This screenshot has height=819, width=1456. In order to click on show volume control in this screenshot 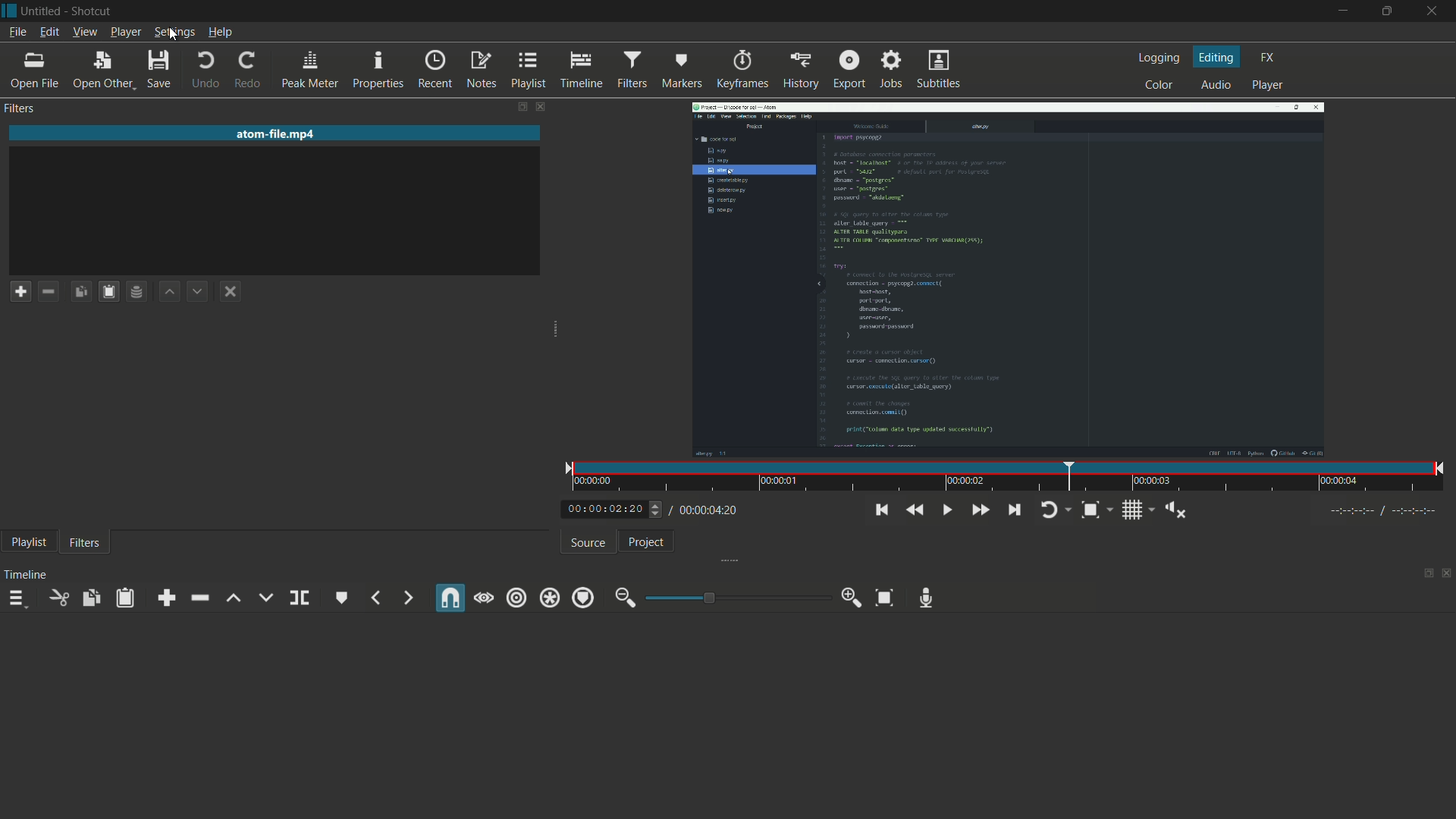, I will do `click(1178, 510)`.